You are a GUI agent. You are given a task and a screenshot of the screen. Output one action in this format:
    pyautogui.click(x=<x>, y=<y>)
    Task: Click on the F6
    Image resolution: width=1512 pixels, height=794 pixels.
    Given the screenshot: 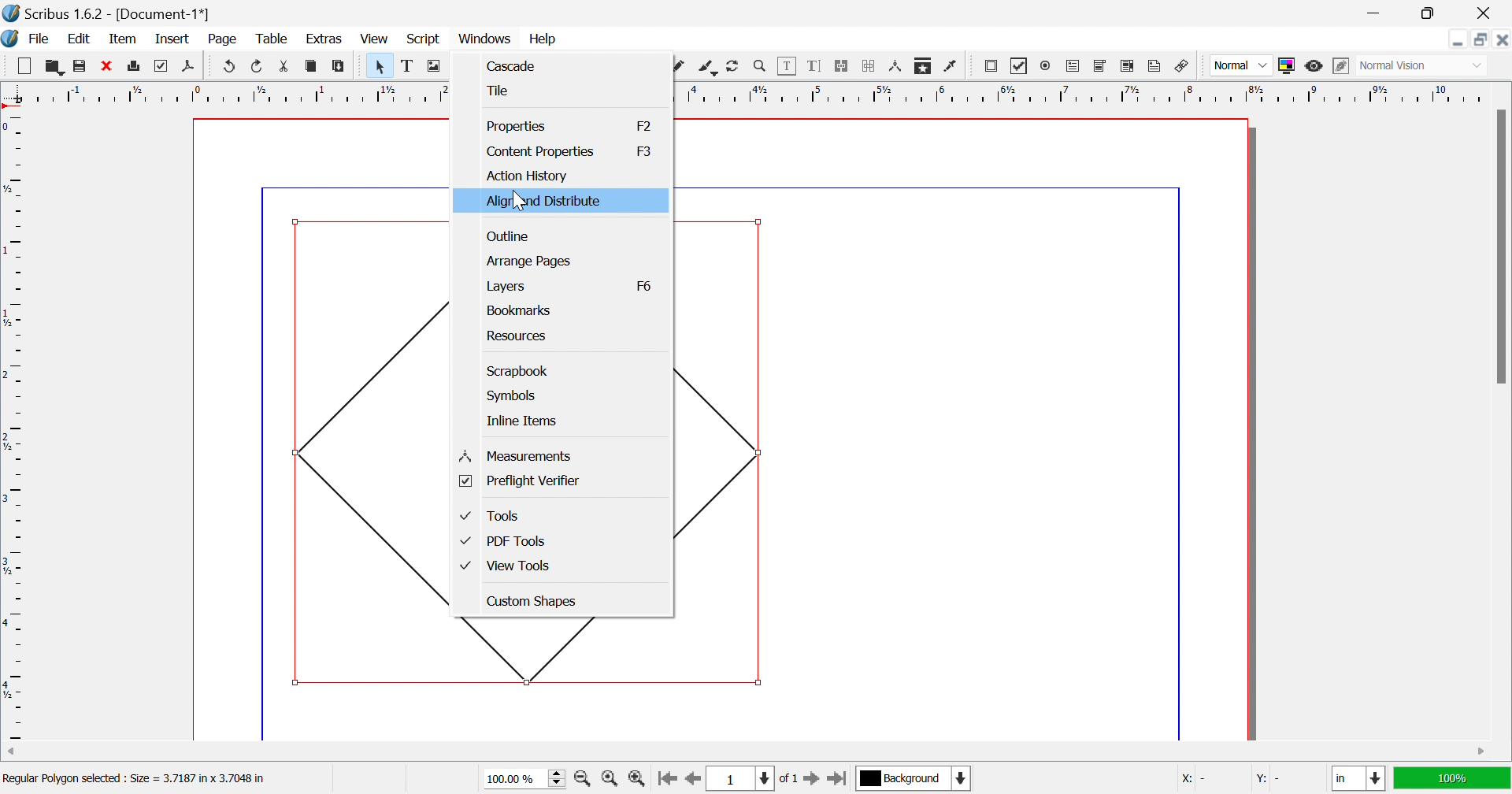 What is the action you would take?
    pyautogui.click(x=642, y=287)
    